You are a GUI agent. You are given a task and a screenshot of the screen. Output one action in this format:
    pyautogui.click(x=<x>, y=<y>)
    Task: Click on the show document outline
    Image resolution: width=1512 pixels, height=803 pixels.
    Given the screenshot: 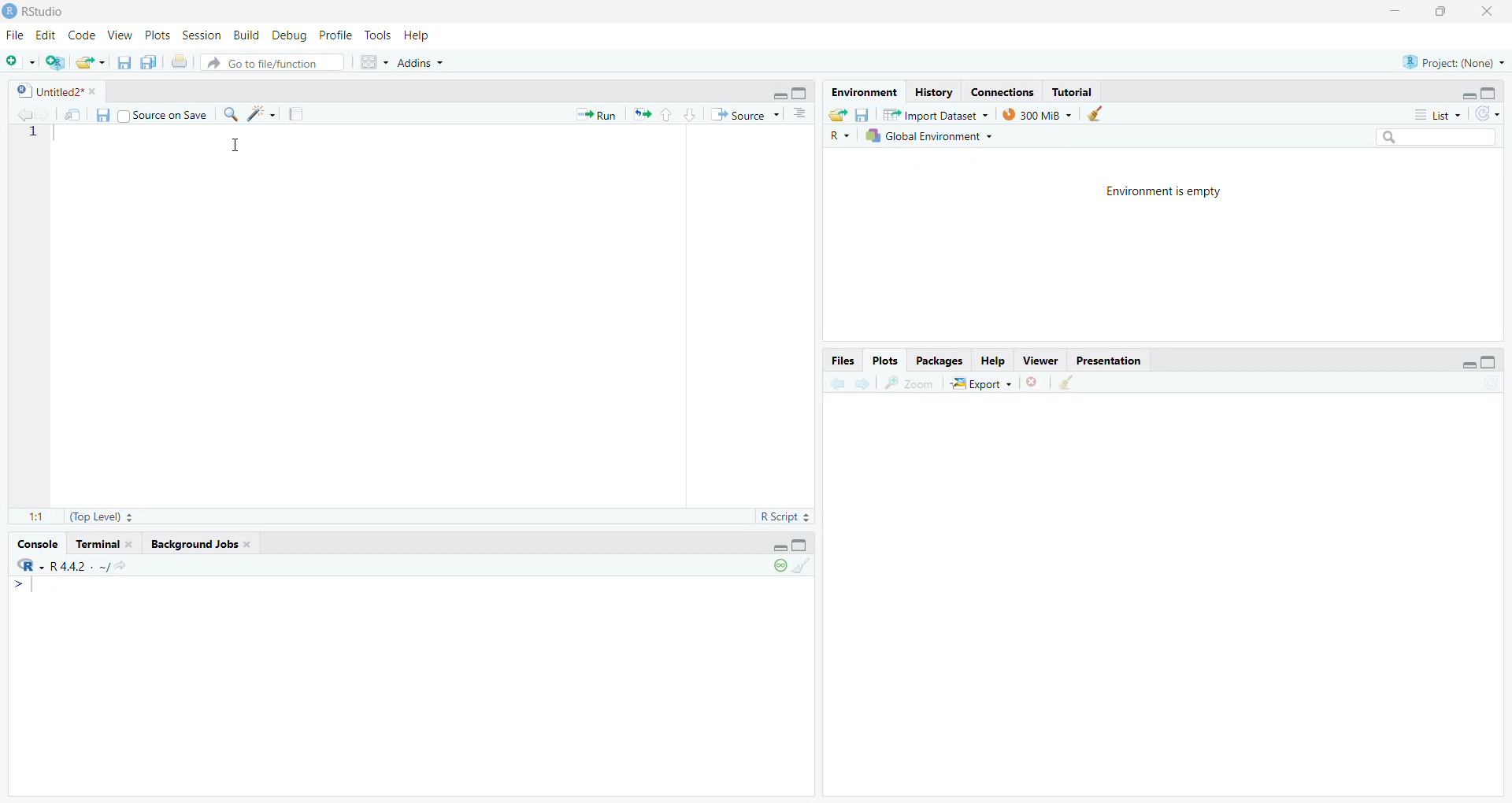 What is the action you would take?
    pyautogui.click(x=802, y=115)
    